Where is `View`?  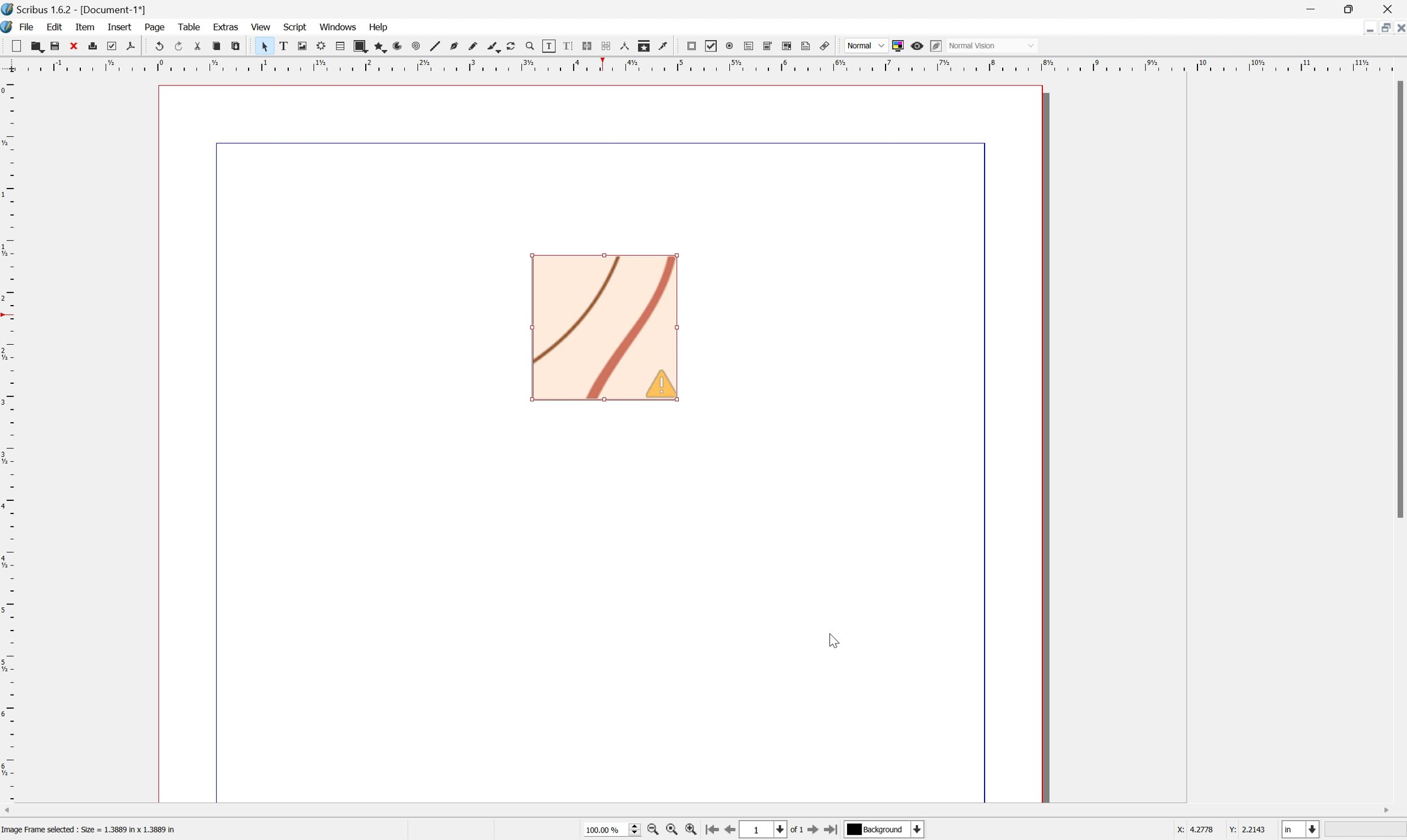
View is located at coordinates (261, 27).